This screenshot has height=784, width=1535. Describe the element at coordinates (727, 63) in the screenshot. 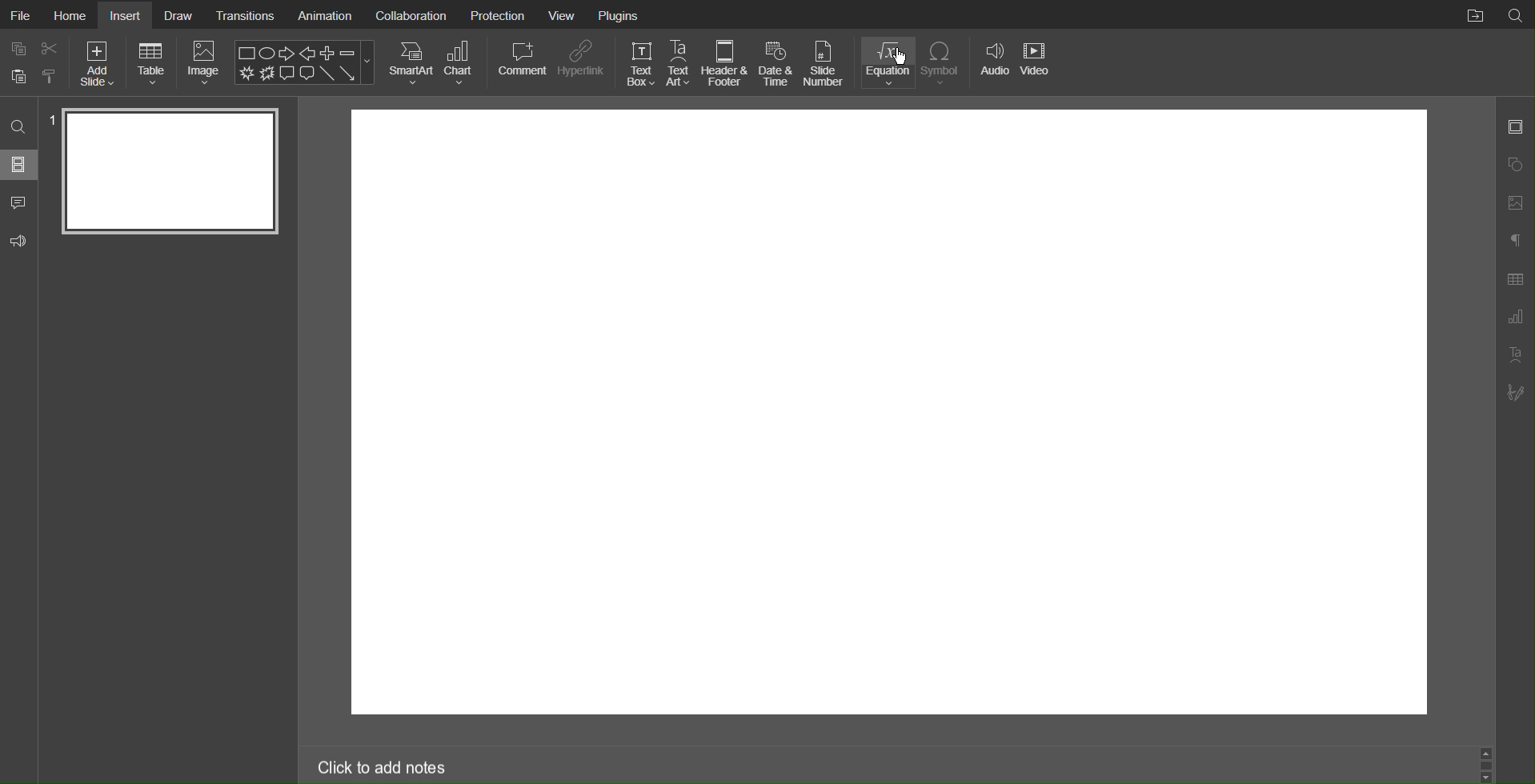

I see `Header & Footer` at that location.